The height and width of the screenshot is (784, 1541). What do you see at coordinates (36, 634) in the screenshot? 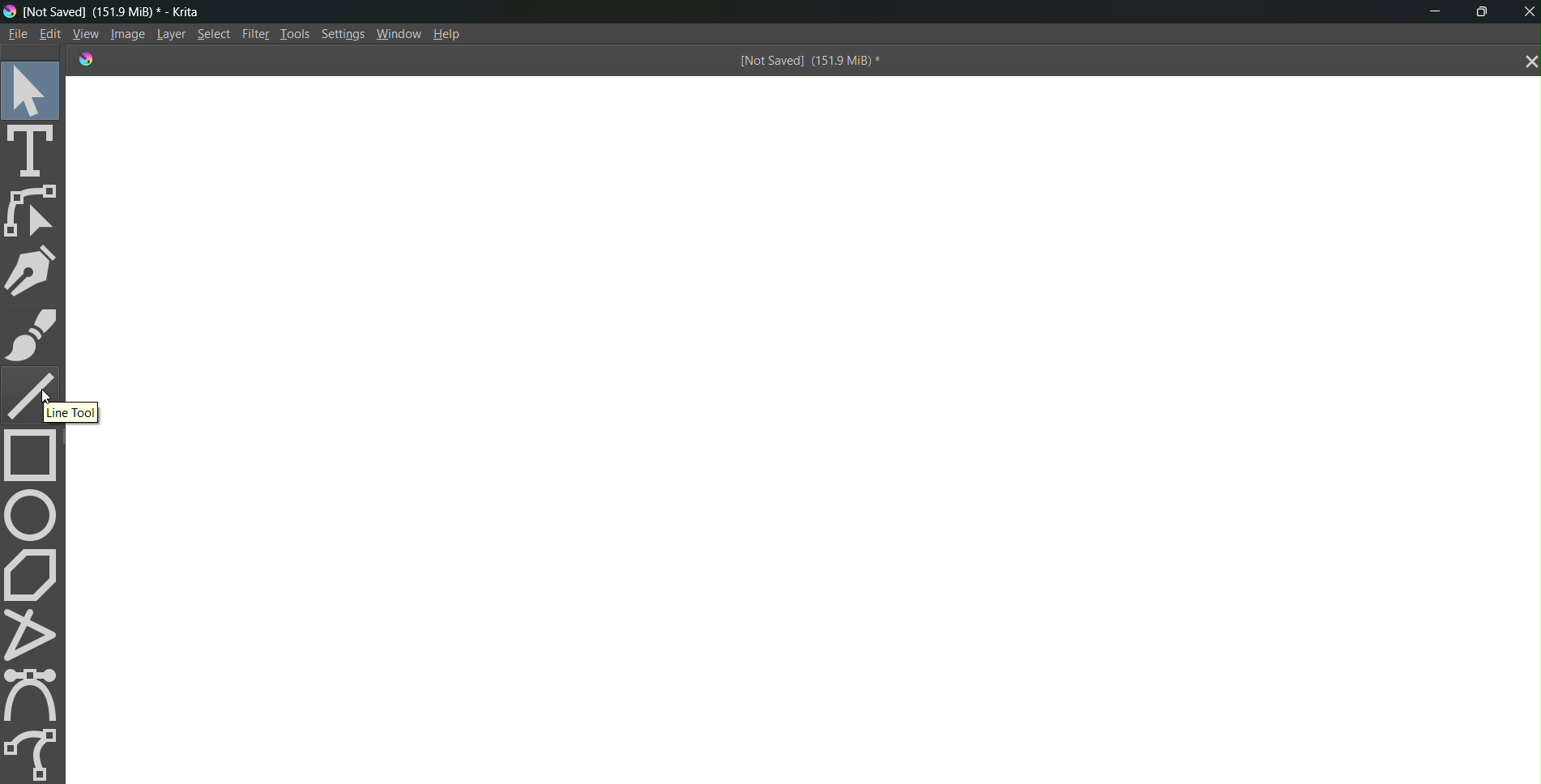
I see `polyline` at bounding box center [36, 634].